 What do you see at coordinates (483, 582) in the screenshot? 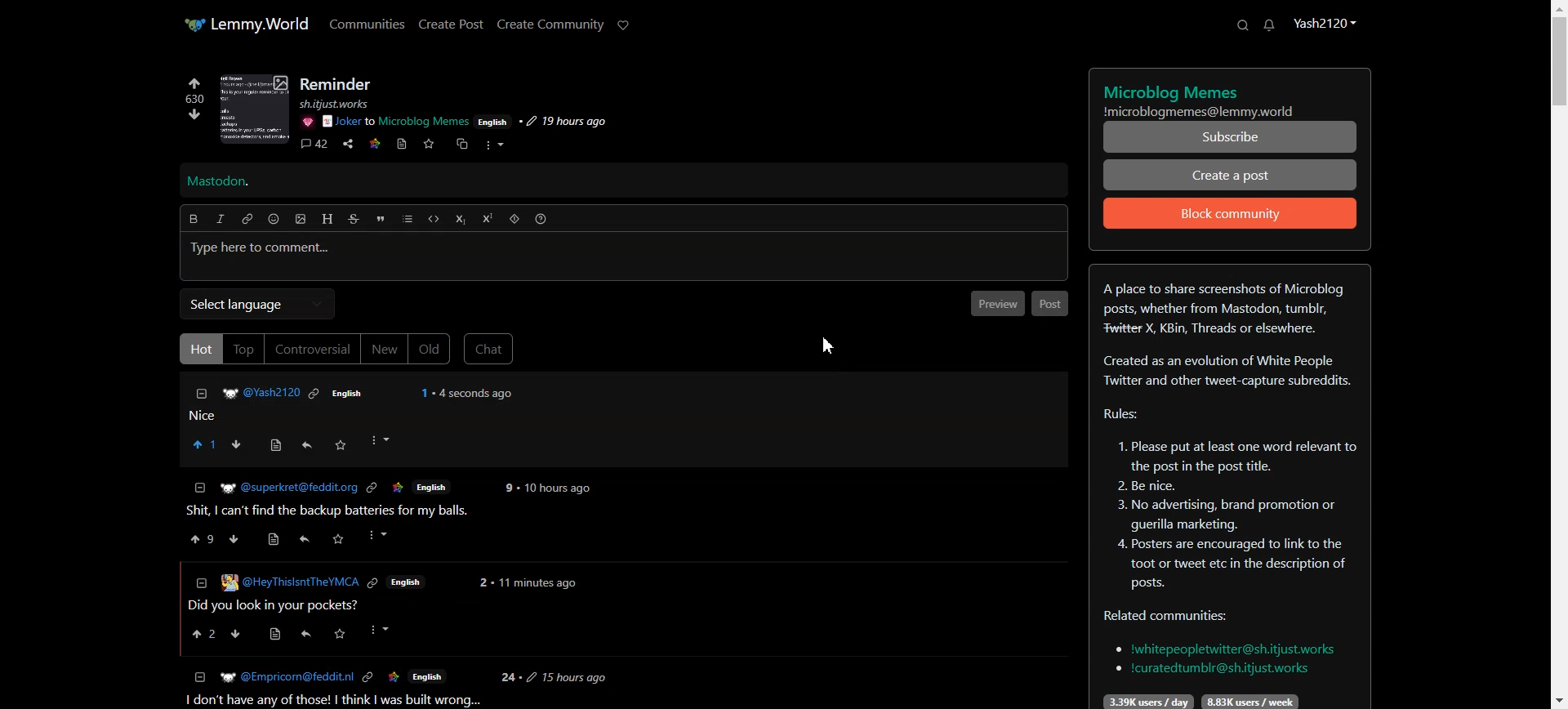
I see `` at bounding box center [483, 582].